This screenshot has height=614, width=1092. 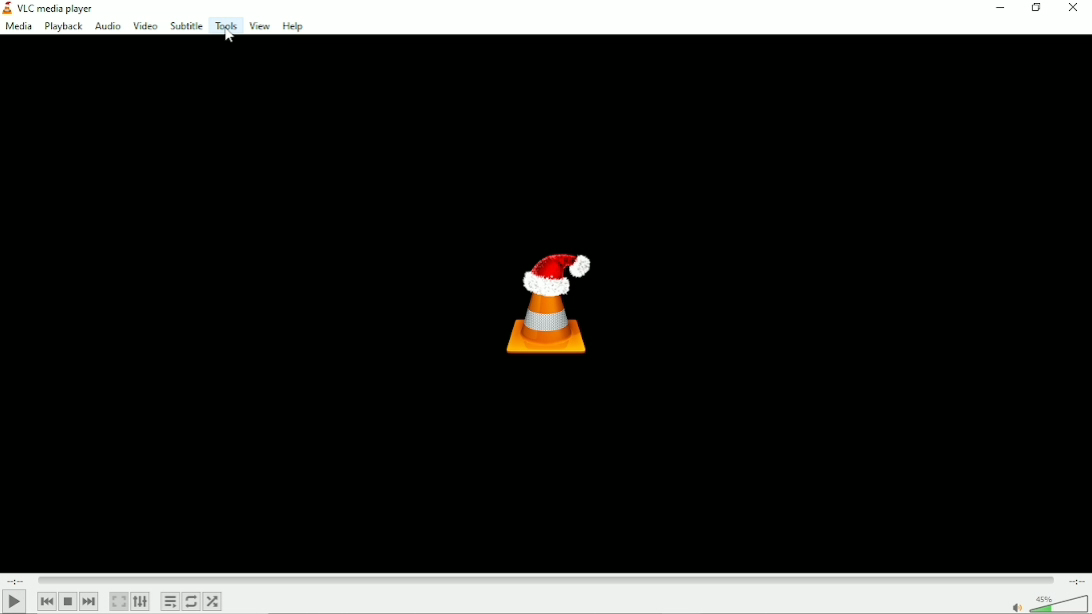 What do you see at coordinates (14, 602) in the screenshot?
I see `play` at bounding box center [14, 602].